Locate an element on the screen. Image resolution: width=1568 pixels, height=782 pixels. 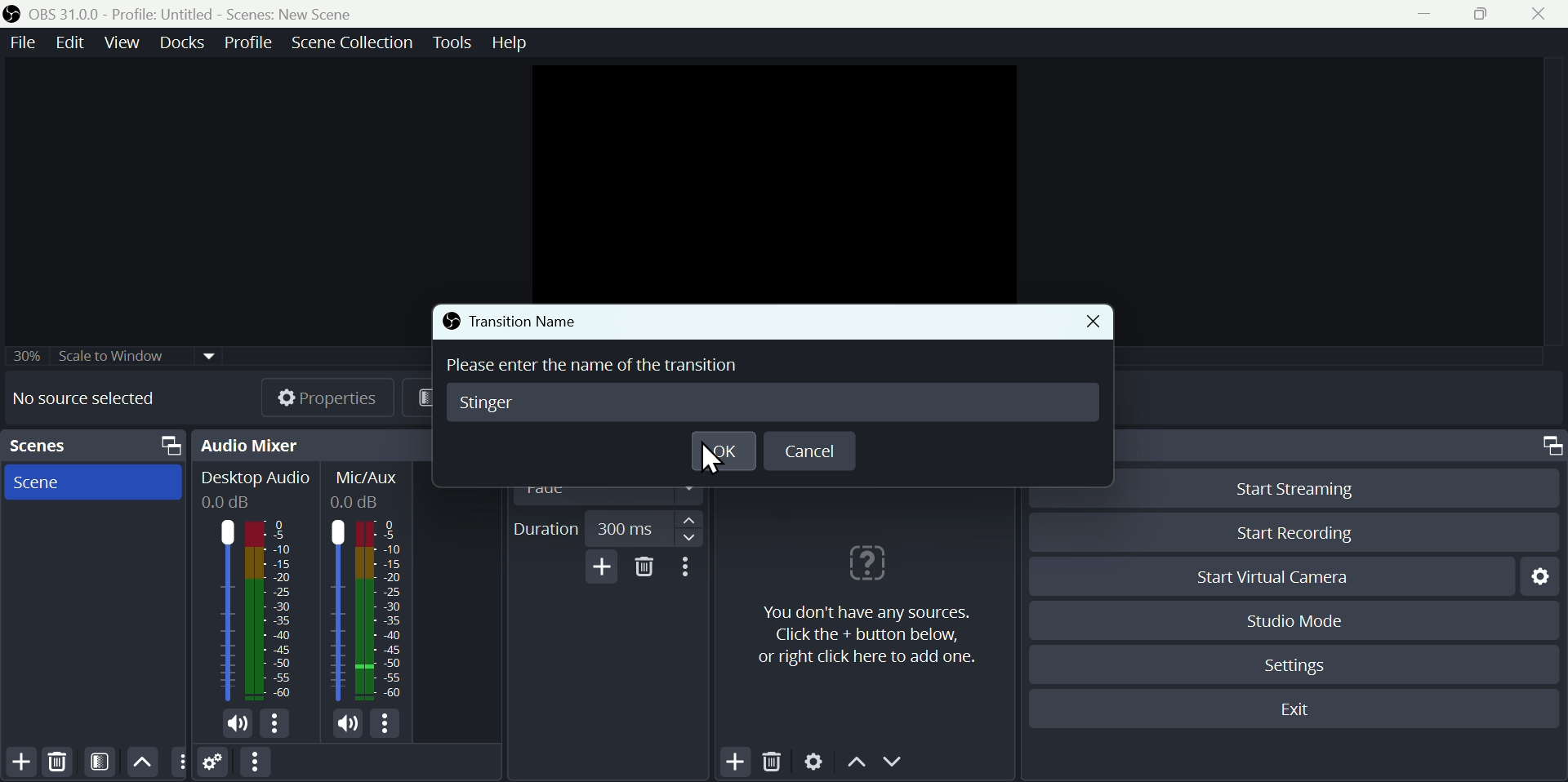
Desktop Audio is located at coordinates (254, 488).